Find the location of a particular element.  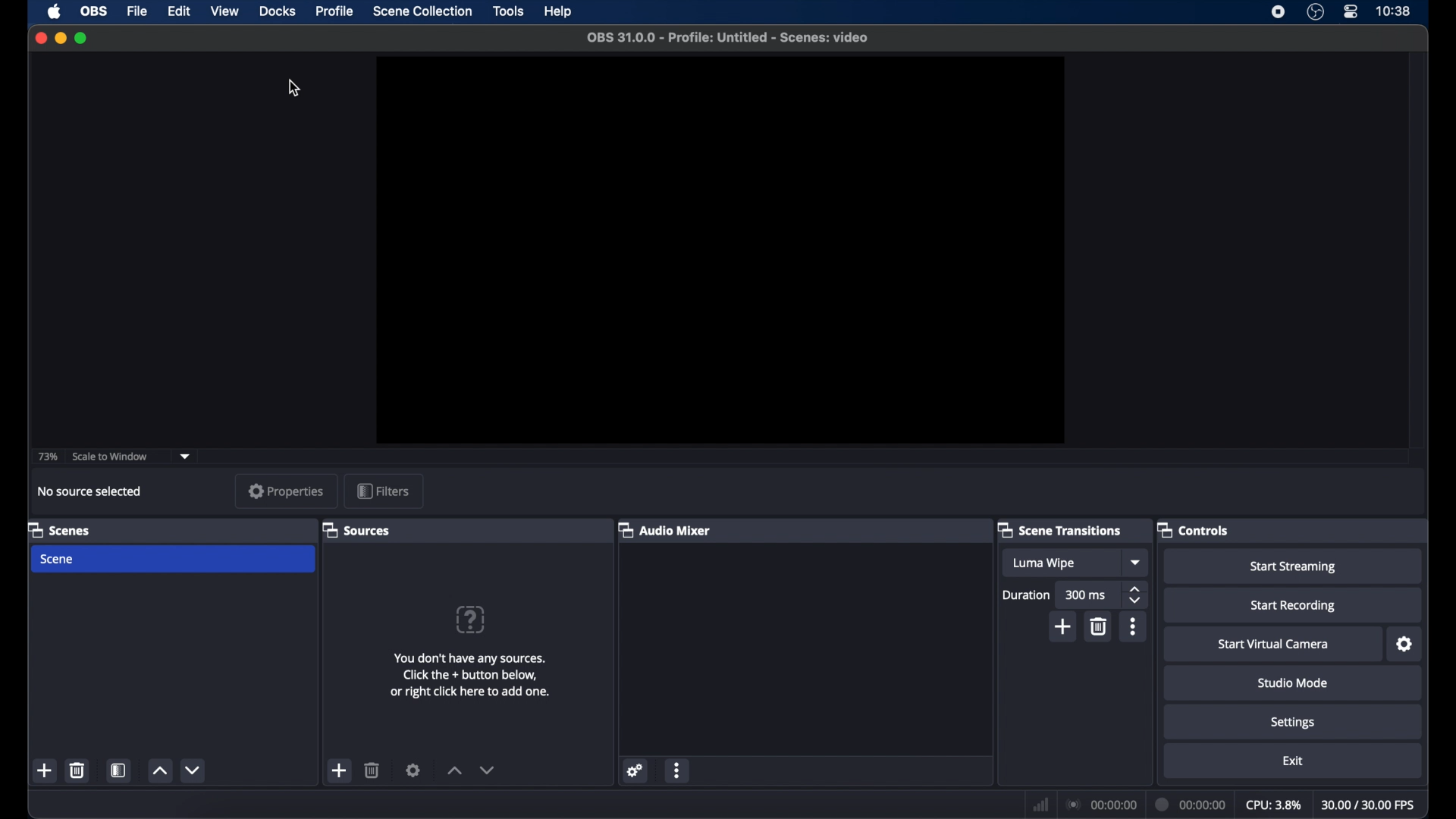

more options is located at coordinates (677, 770).